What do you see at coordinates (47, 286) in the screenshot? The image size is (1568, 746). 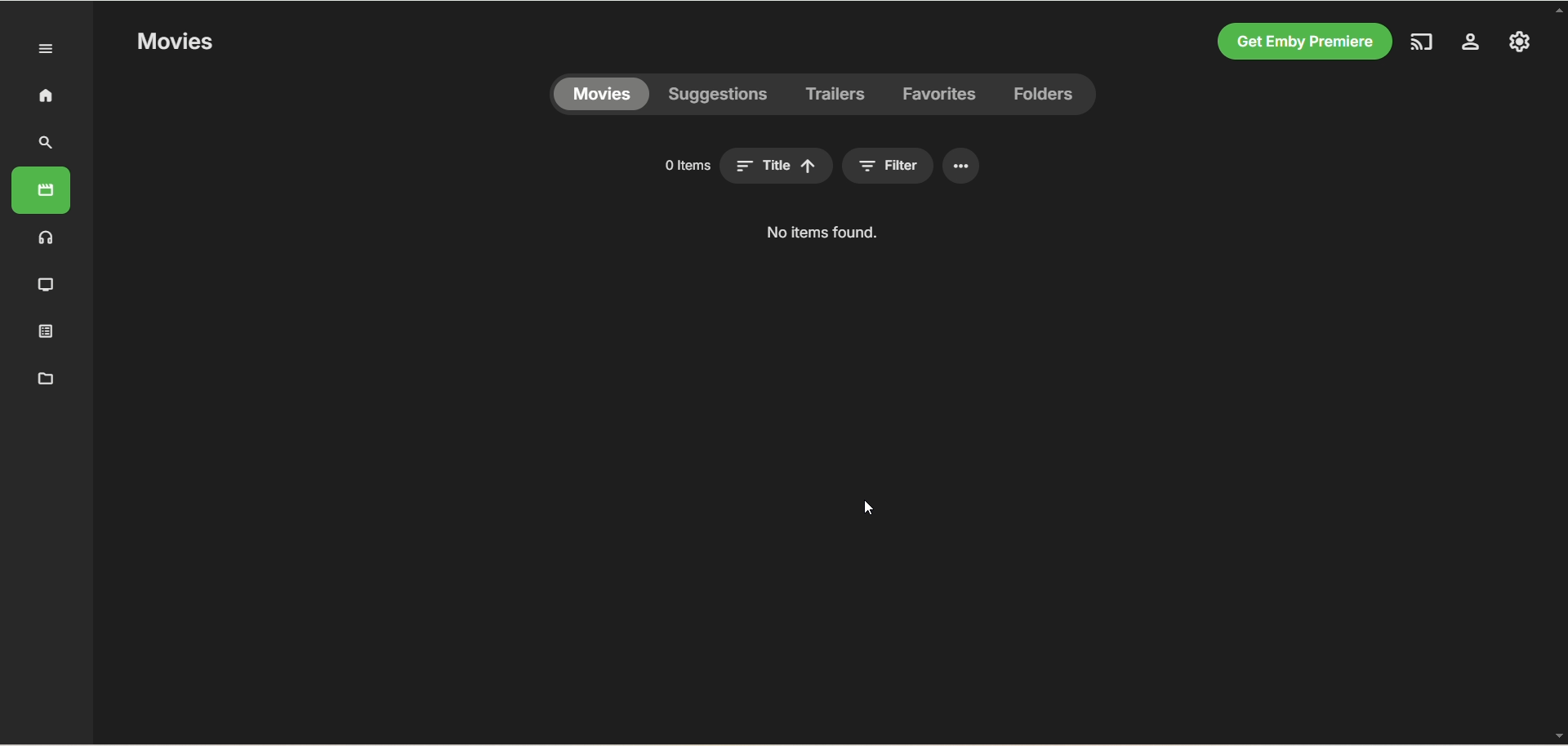 I see `TV shows` at bounding box center [47, 286].